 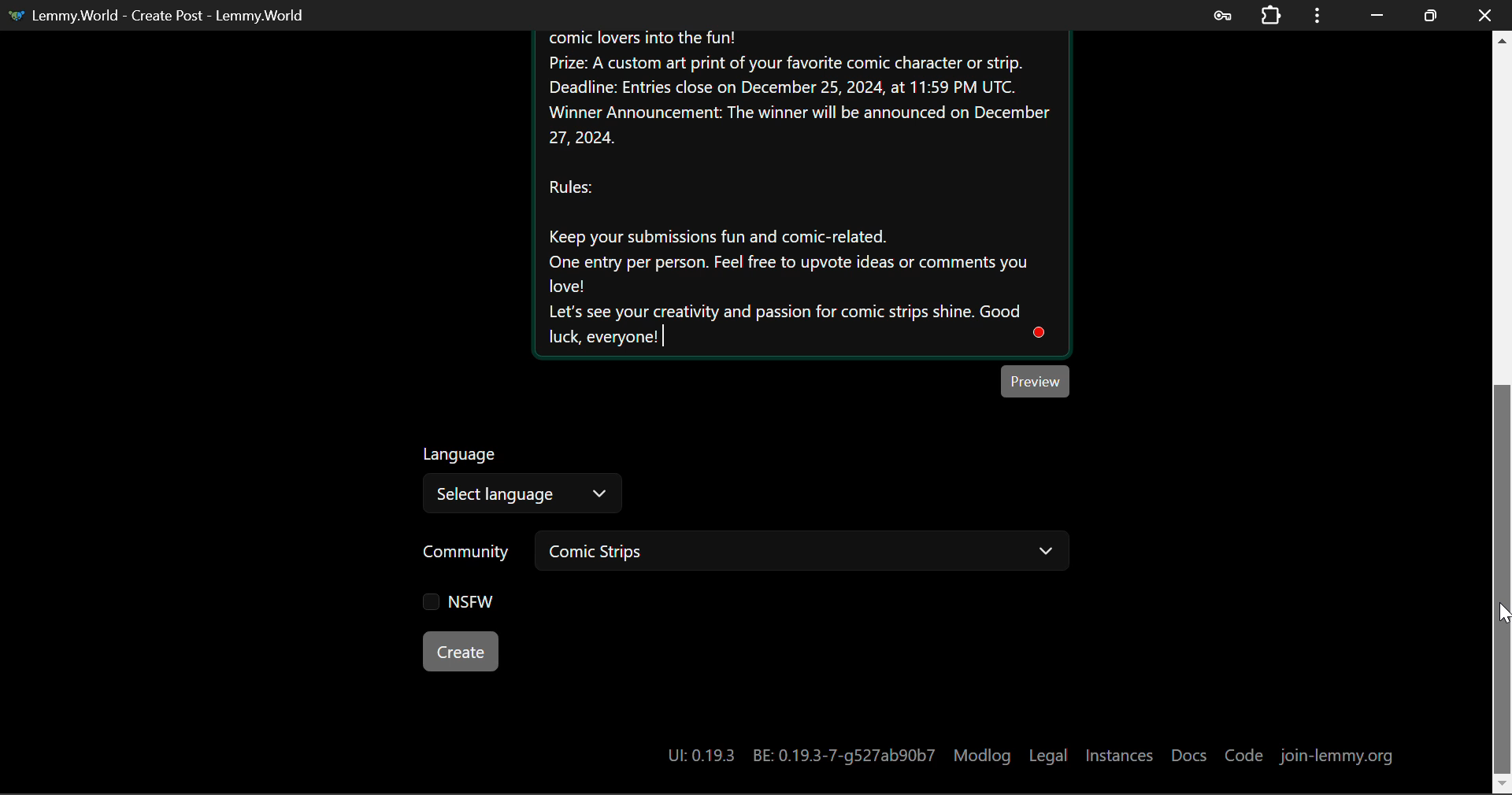 What do you see at coordinates (800, 193) in the screenshot?
I see `Hey Comic Strips Community!To celebrate our shared love for all things comics, we're hosting a special giveaway. Here's how you can enter: Comment below with: Your favorite comic strip of all time ORA comic strip idea you'd love to see created. Optional Bonus Entry: Share this post with your friends to bring morecomic lovers into the fun! Prize: A custom art print of your favorite comic character or strip. Deadline: Entries close on December 25, 2024, at 11:59 PM UTC. Winner Announcement: The winner will be announced on December 27, 2024. Rules:Keep your submissions fun and comic-related. One entry per person. Feel free to upvote ideas or comments youlove! Let's see your creativity and passion for comic strips shine. Goodluck, everyone!` at bounding box center [800, 193].